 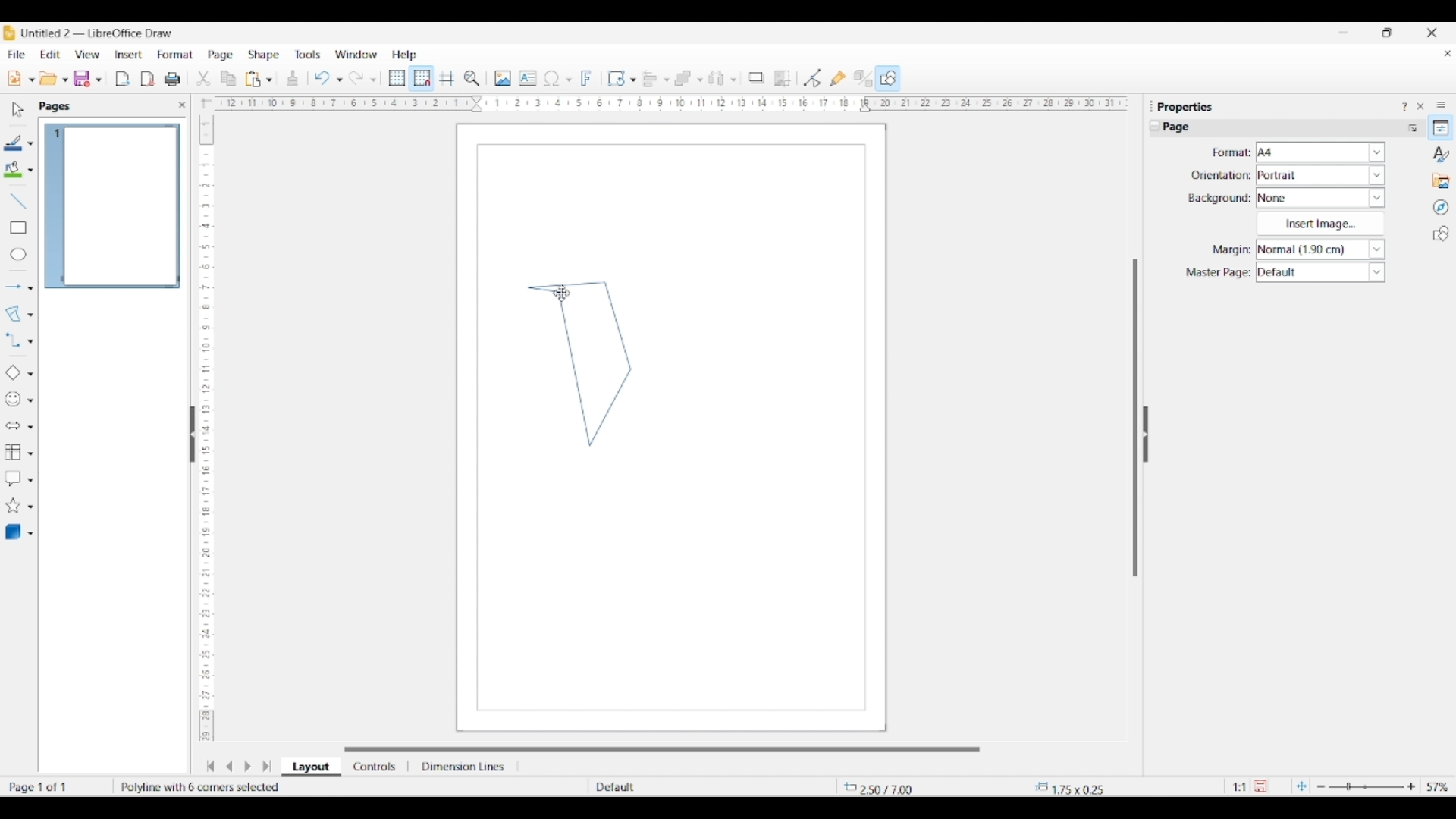 What do you see at coordinates (356, 78) in the screenshot?
I see `Redo last action` at bounding box center [356, 78].